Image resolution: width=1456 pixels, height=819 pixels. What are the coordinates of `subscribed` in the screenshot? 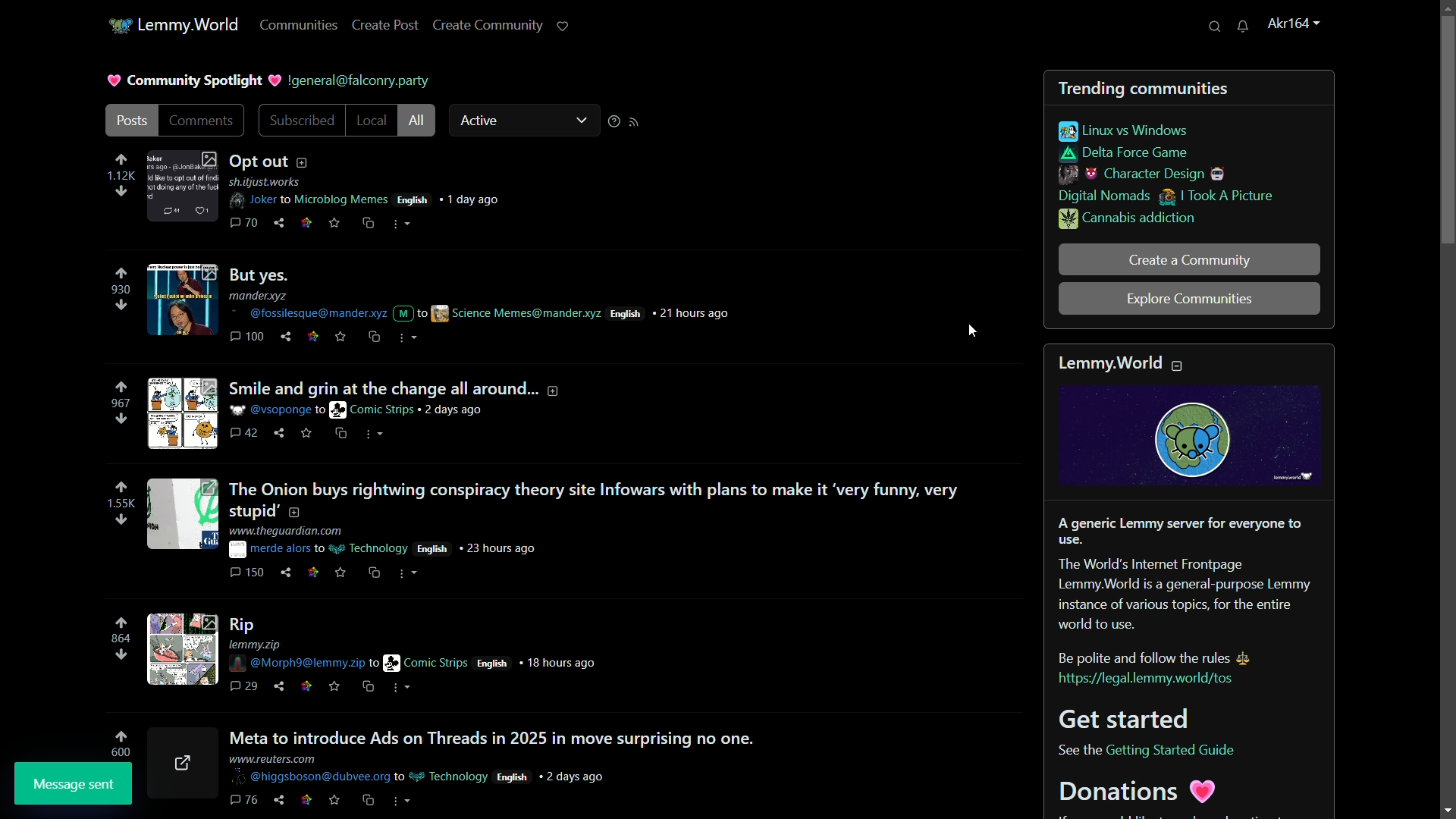 It's located at (297, 121).